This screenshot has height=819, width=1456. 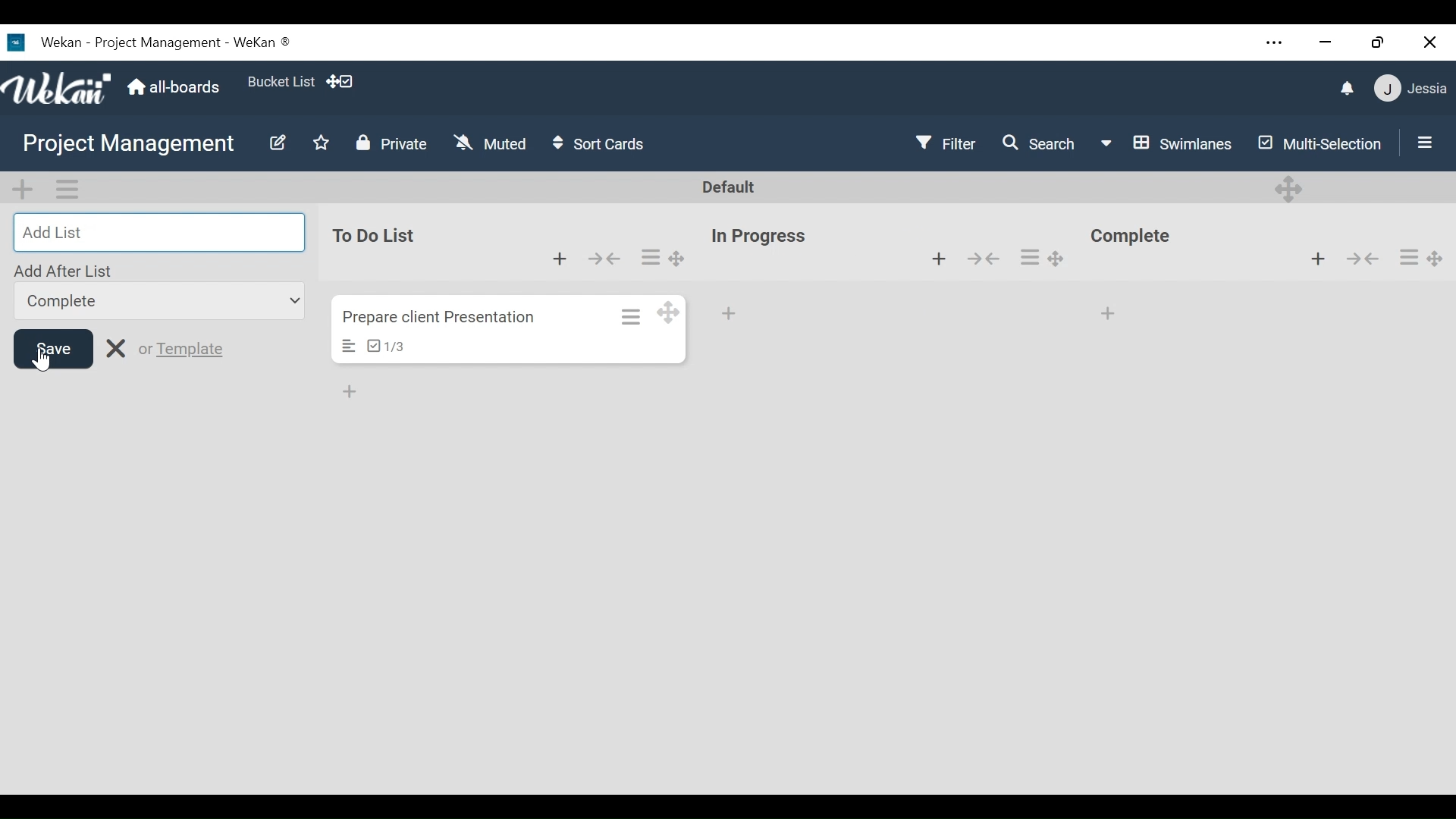 What do you see at coordinates (1131, 236) in the screenshot?
I see `List Title` at bounding box center [1131, 236].